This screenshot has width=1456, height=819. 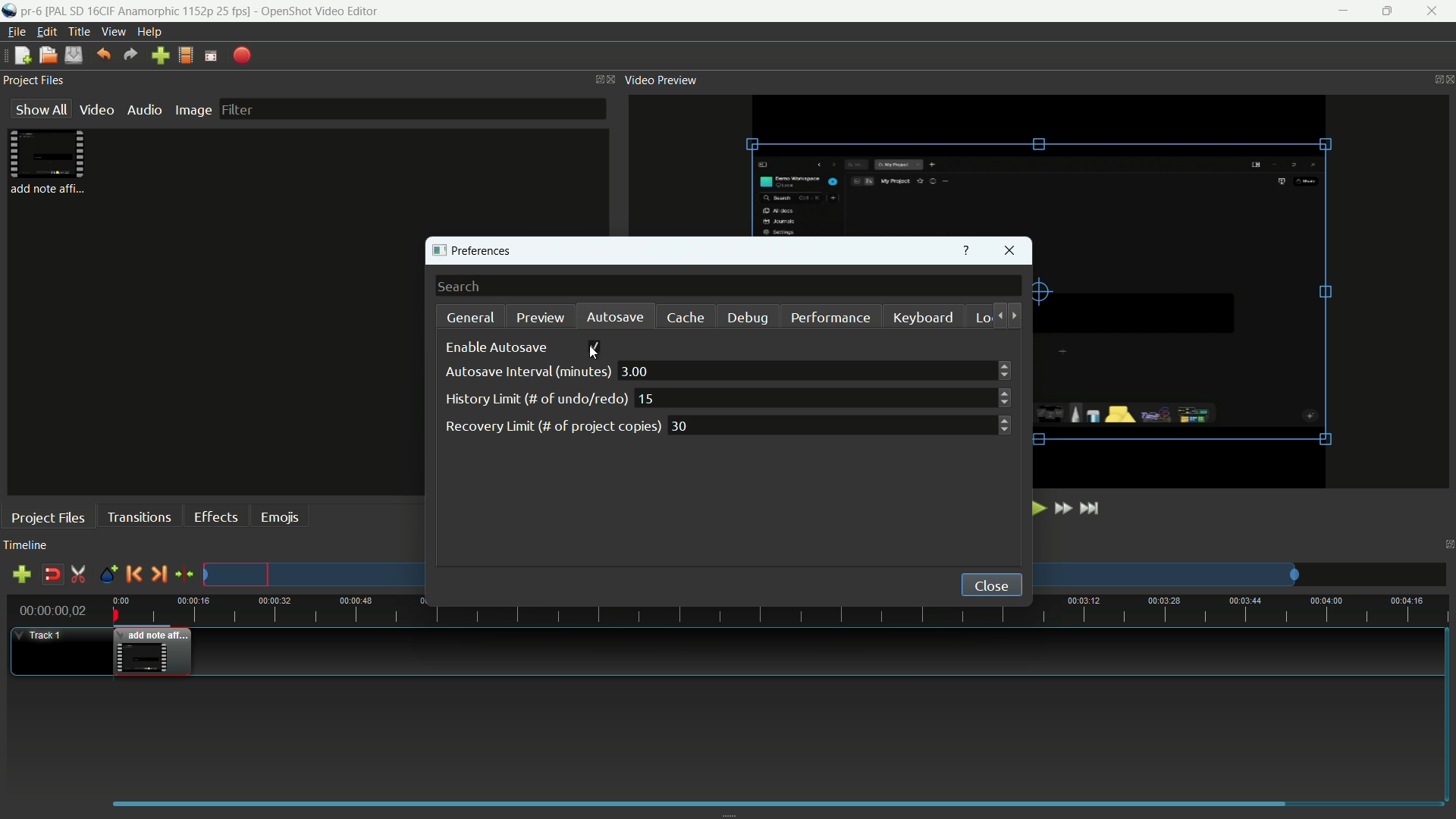 What do you see at coordinates (149, 33) in the screenshot?
I see `help menu` at bounding box center [149, 33].